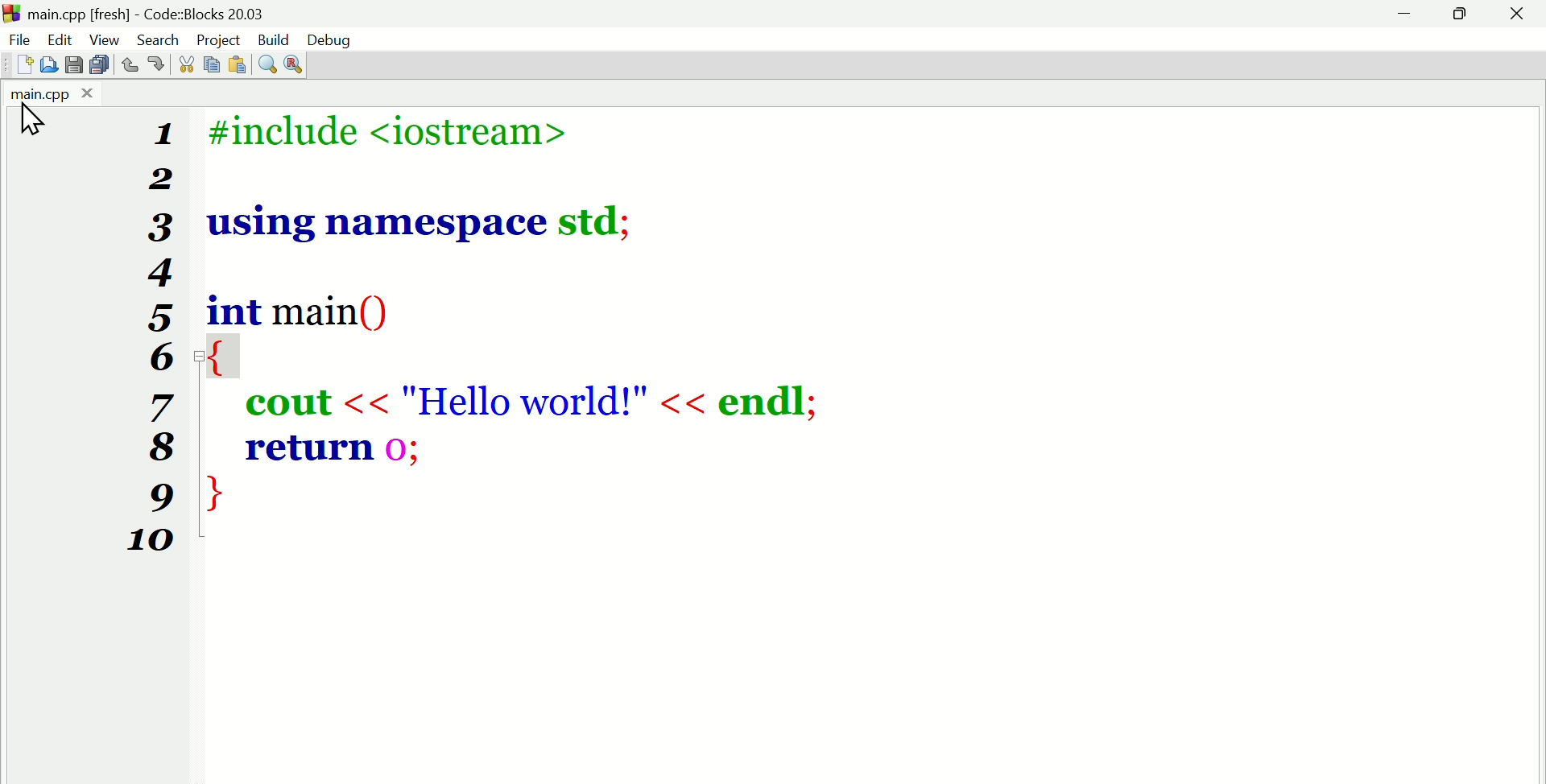 Image resolution: width=1546 pixels, height=784 pixels. What do you see at coordinates (37, 122) in the screenshot?
I see `cursor` at bounding box center [37, 122].